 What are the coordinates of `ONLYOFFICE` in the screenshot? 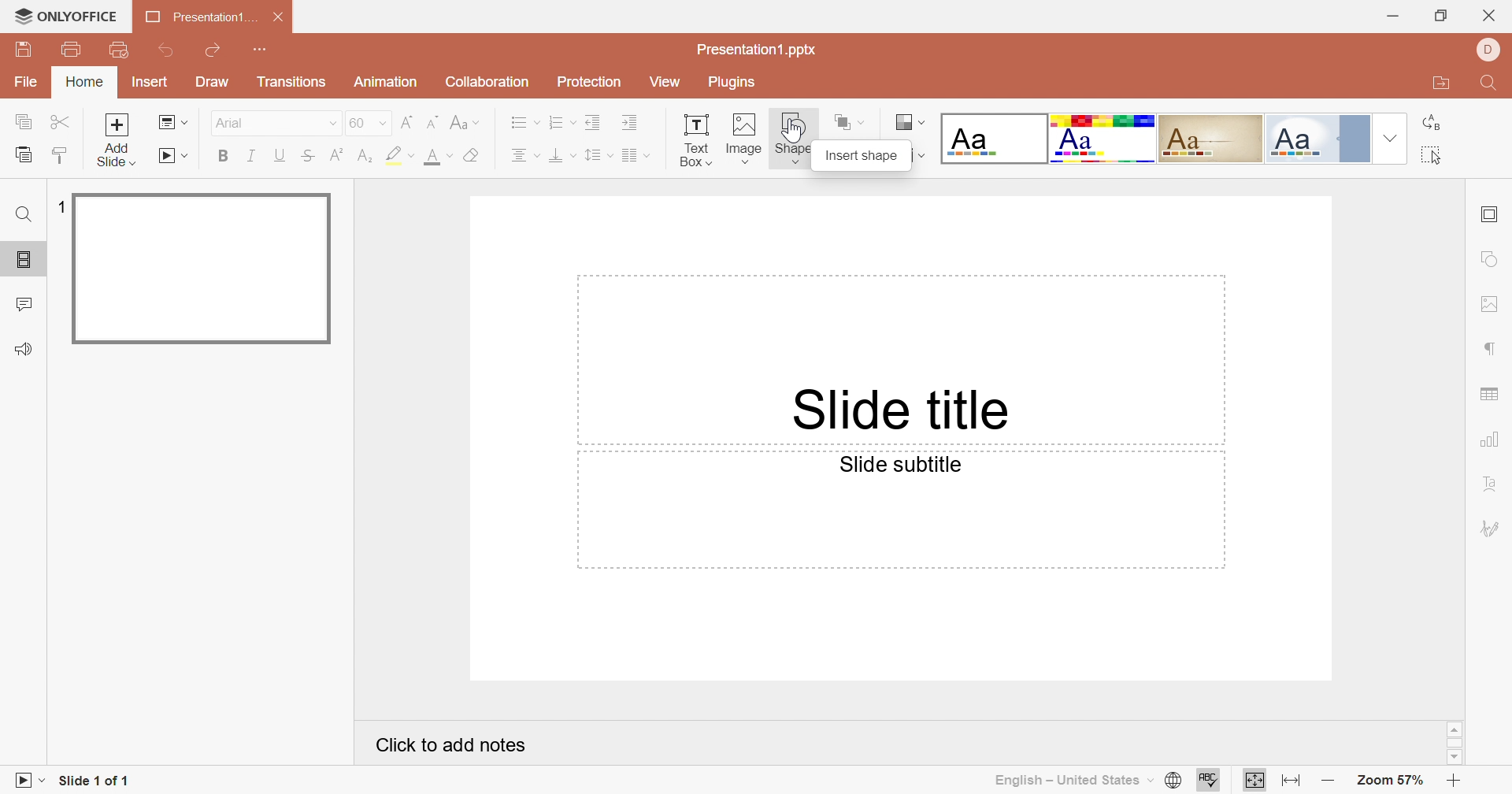 It's located at (66, 15).